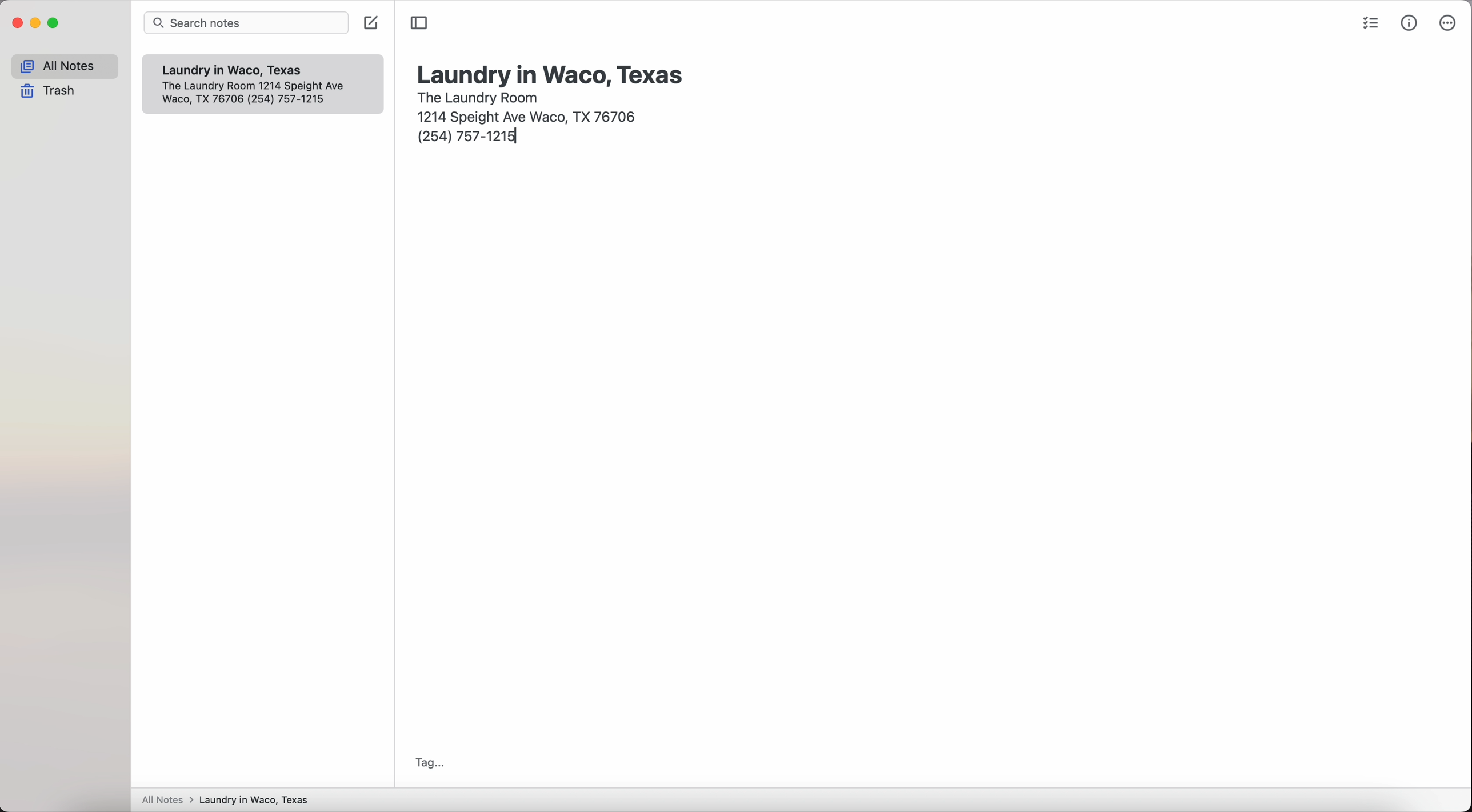 This screenshot has height=812, width=1472. I want to click on (254) 757-1215, so click(470, 138).